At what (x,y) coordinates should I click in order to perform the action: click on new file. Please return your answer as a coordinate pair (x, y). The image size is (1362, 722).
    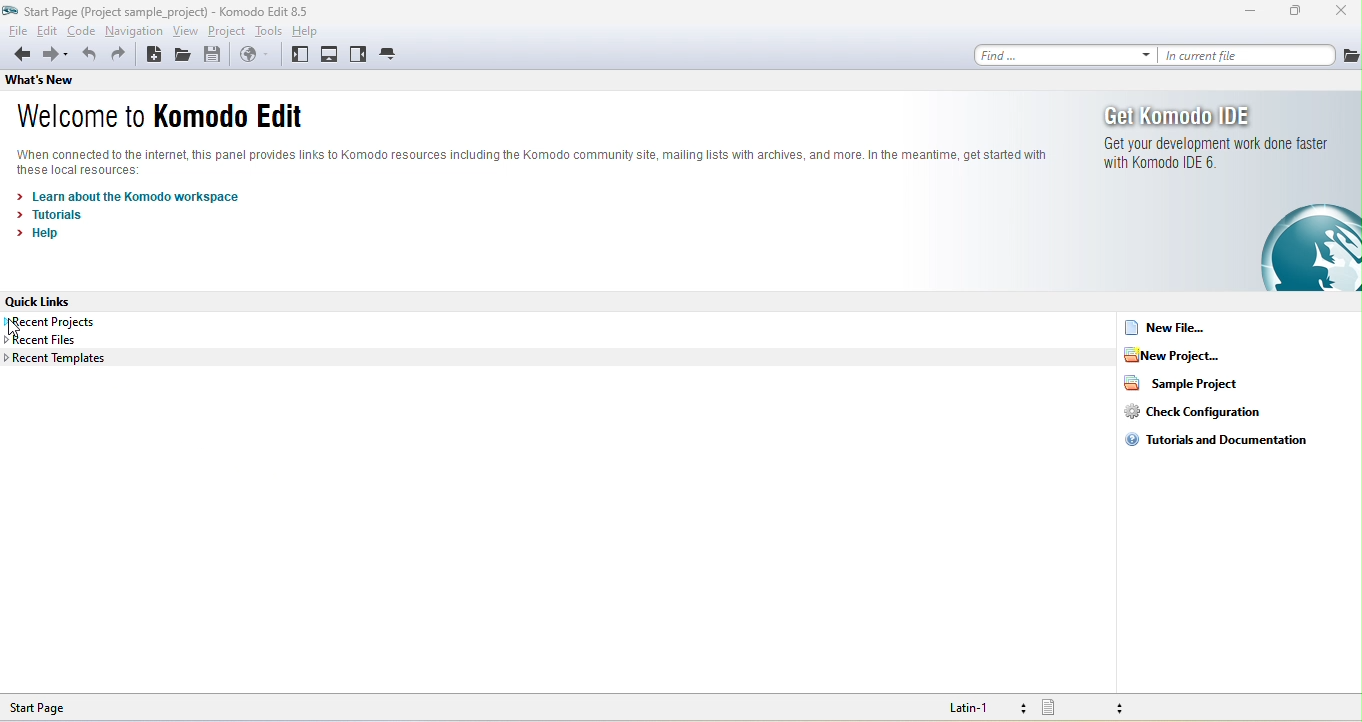
    Looking at the image, I should click on (1174, 329).